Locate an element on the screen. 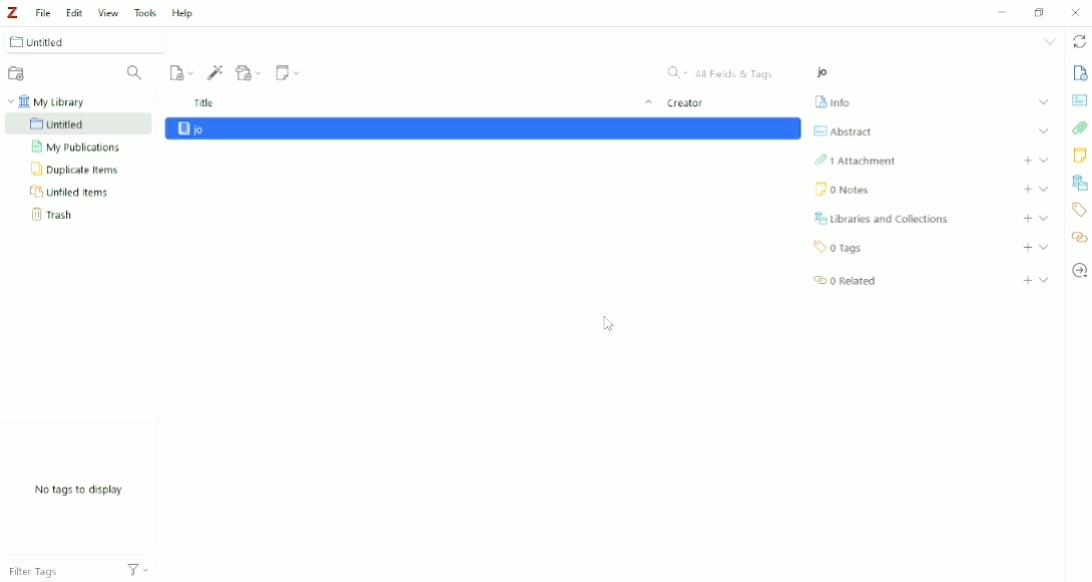  Info is located at coordinates (835, 102).